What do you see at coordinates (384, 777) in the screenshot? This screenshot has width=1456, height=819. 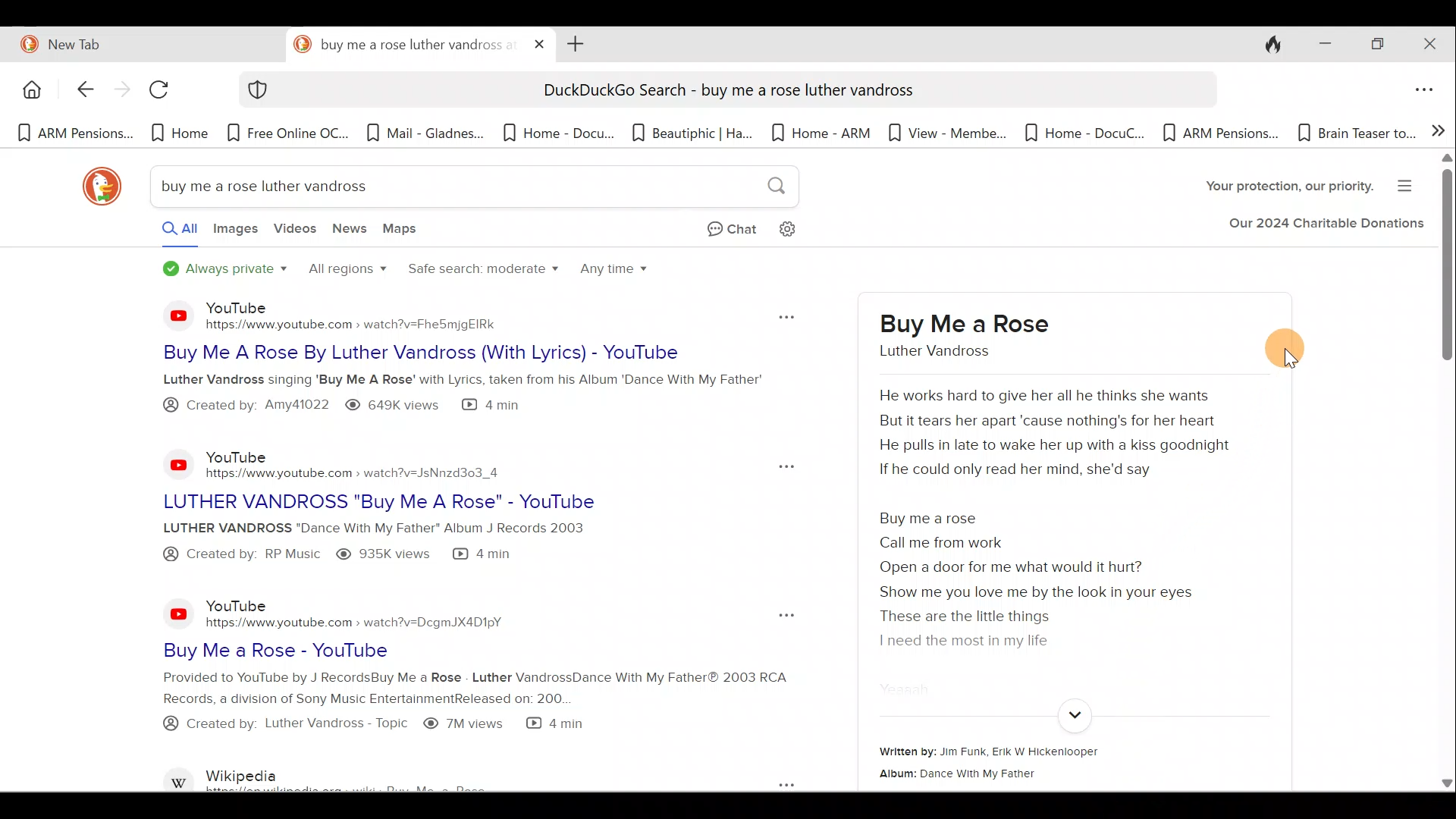 I see `Wikipedia` at bounding box center [384, 777].